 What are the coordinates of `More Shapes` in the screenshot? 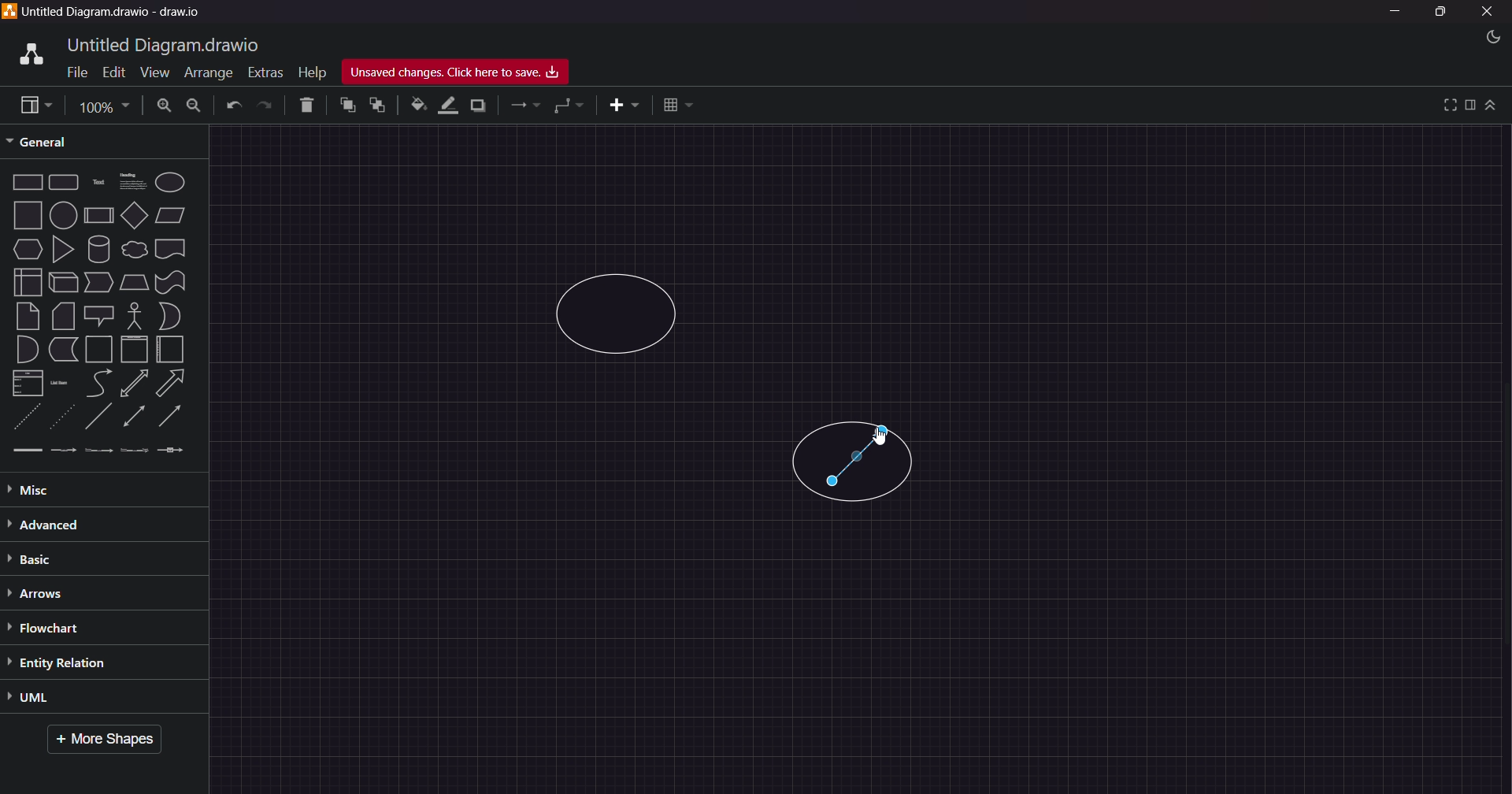 It's located at (110, 740).